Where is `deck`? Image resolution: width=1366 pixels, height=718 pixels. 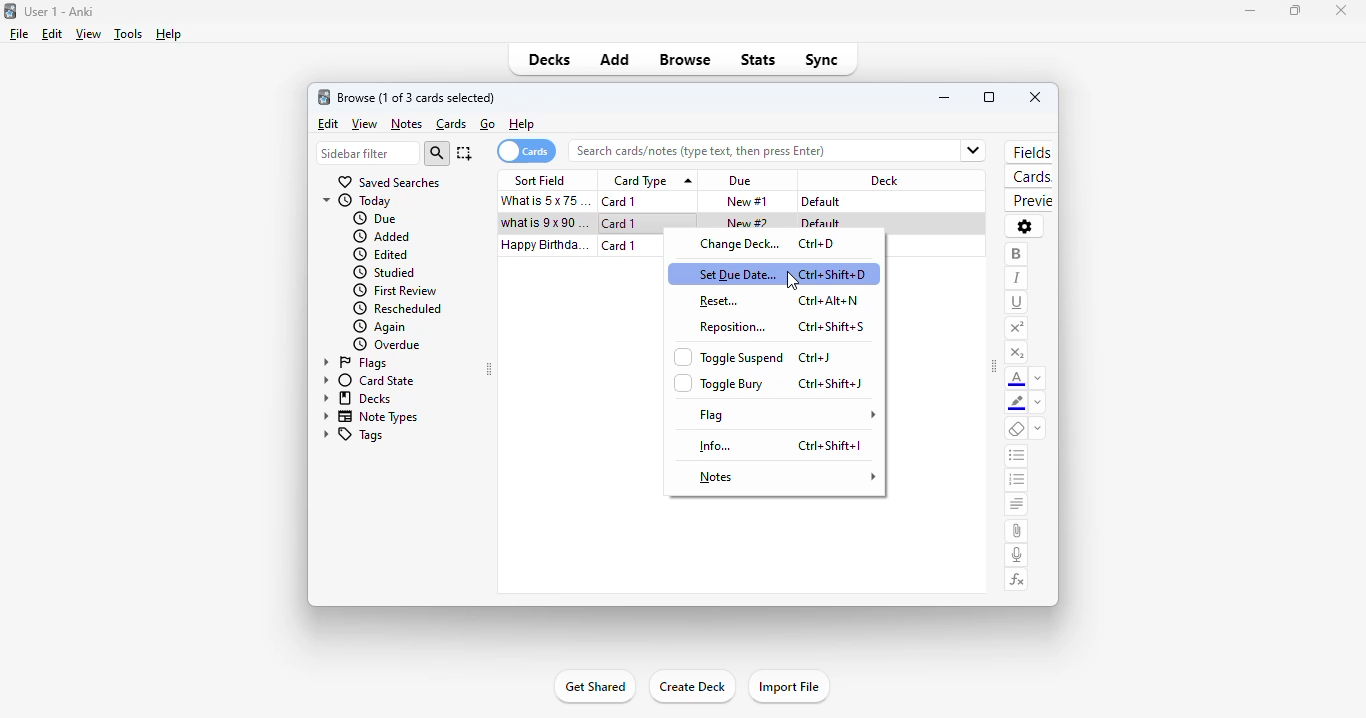
deck is located at coordinates (884, 181).